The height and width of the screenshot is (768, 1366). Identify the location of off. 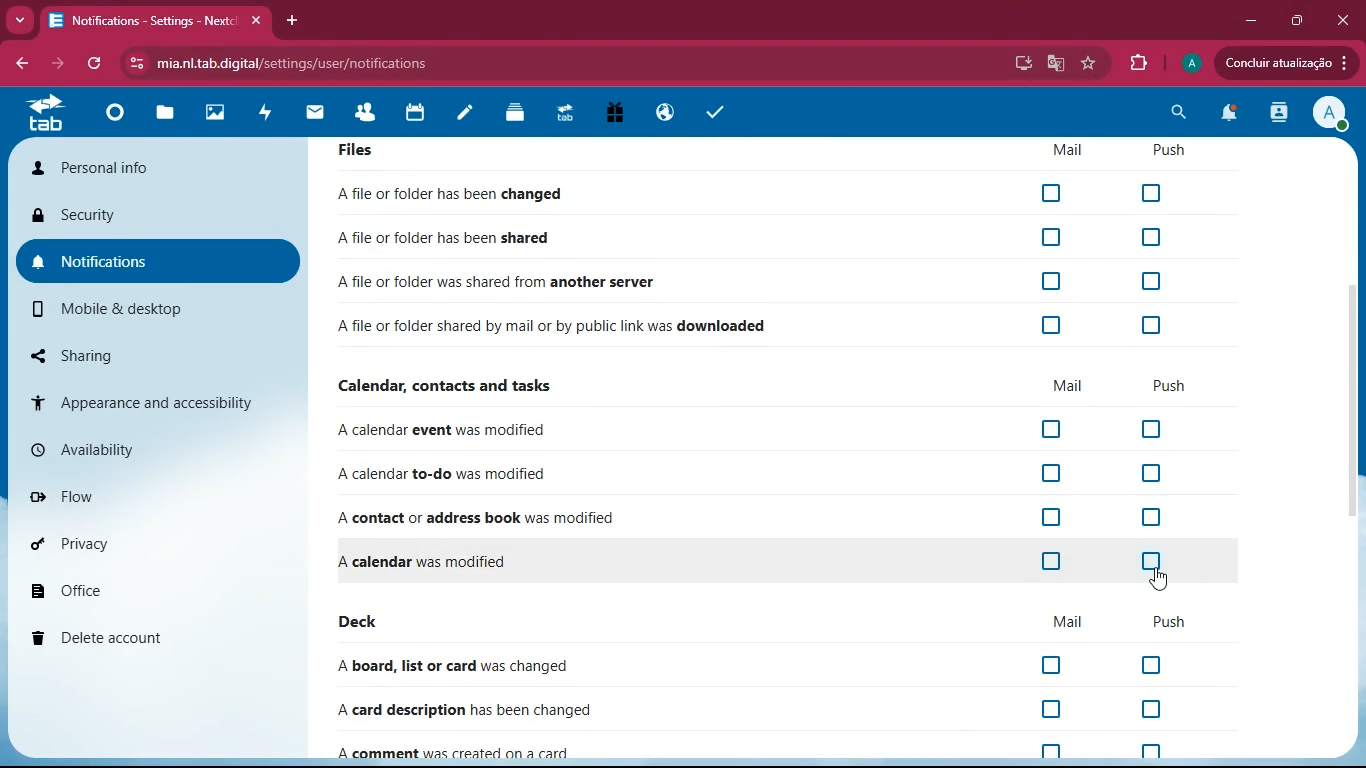
(1145, 665).